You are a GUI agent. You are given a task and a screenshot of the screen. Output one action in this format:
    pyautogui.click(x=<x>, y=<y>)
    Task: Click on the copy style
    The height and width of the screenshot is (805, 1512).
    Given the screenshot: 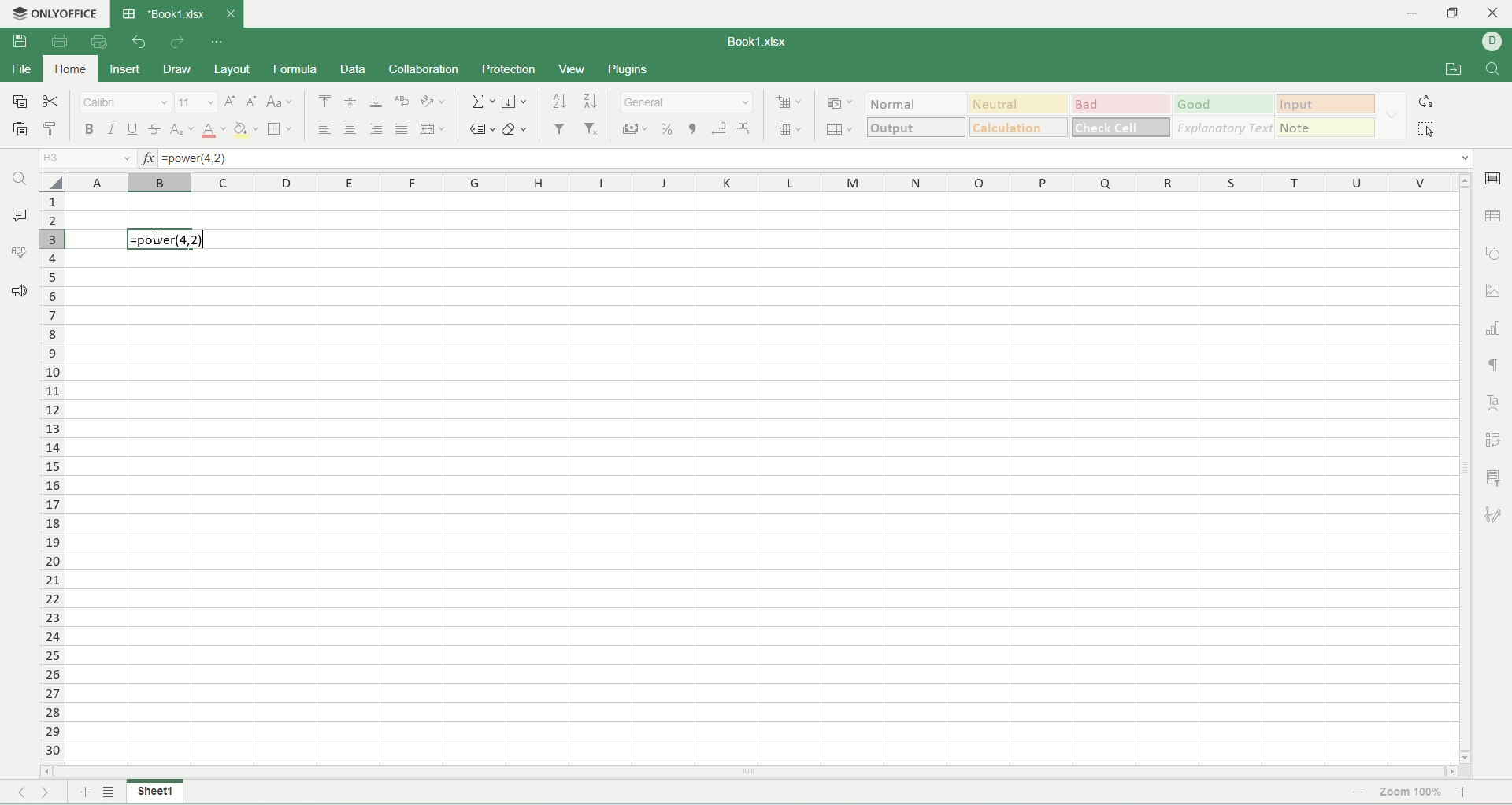 What is the action you would take?
    pyautogui.click(x=54, y=131)
    